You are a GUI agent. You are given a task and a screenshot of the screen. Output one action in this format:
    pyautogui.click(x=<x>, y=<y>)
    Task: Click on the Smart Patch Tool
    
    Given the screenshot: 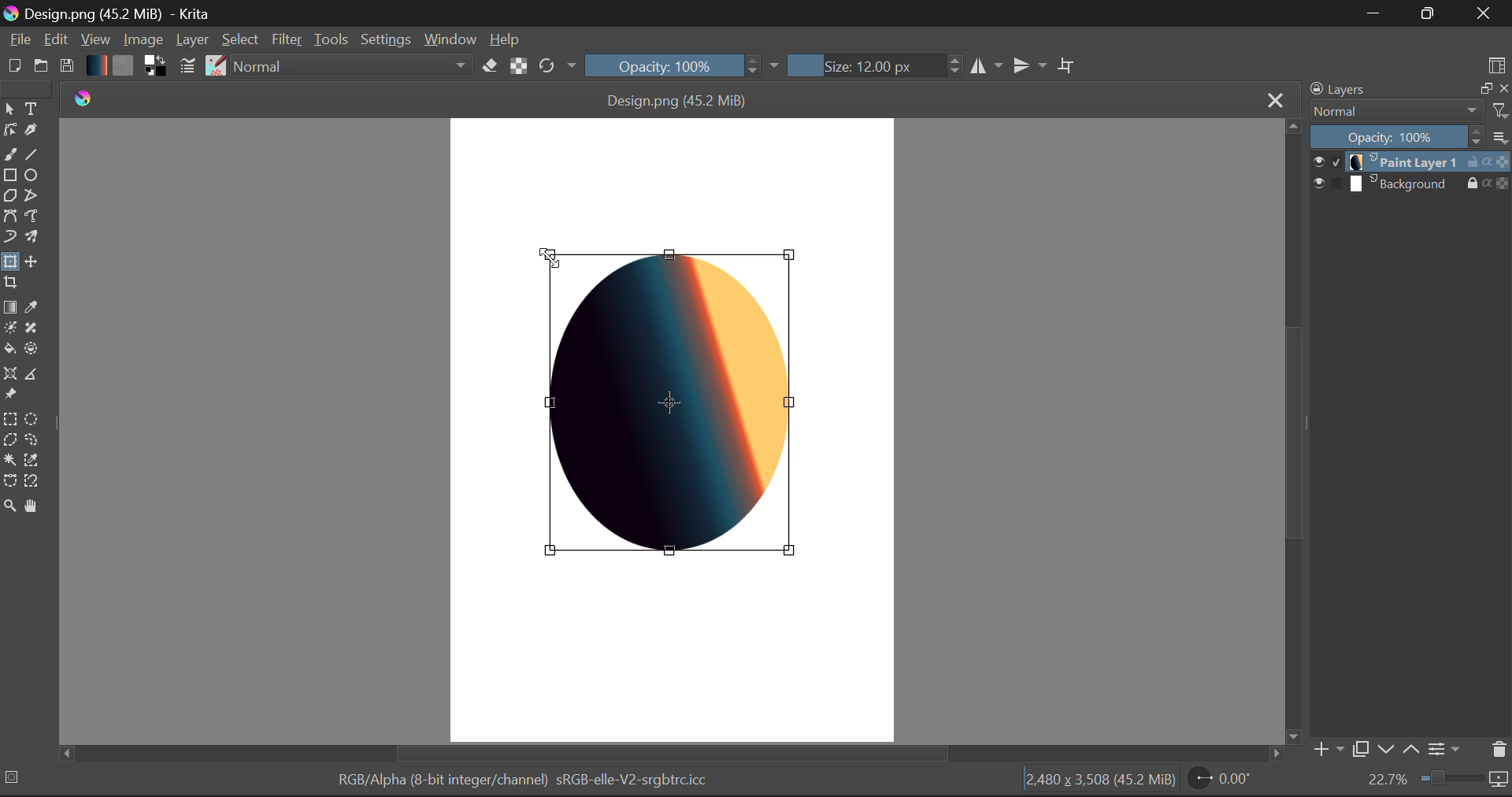 What is the action you would take?
    pyautogui.click(x=32, y=328)
    